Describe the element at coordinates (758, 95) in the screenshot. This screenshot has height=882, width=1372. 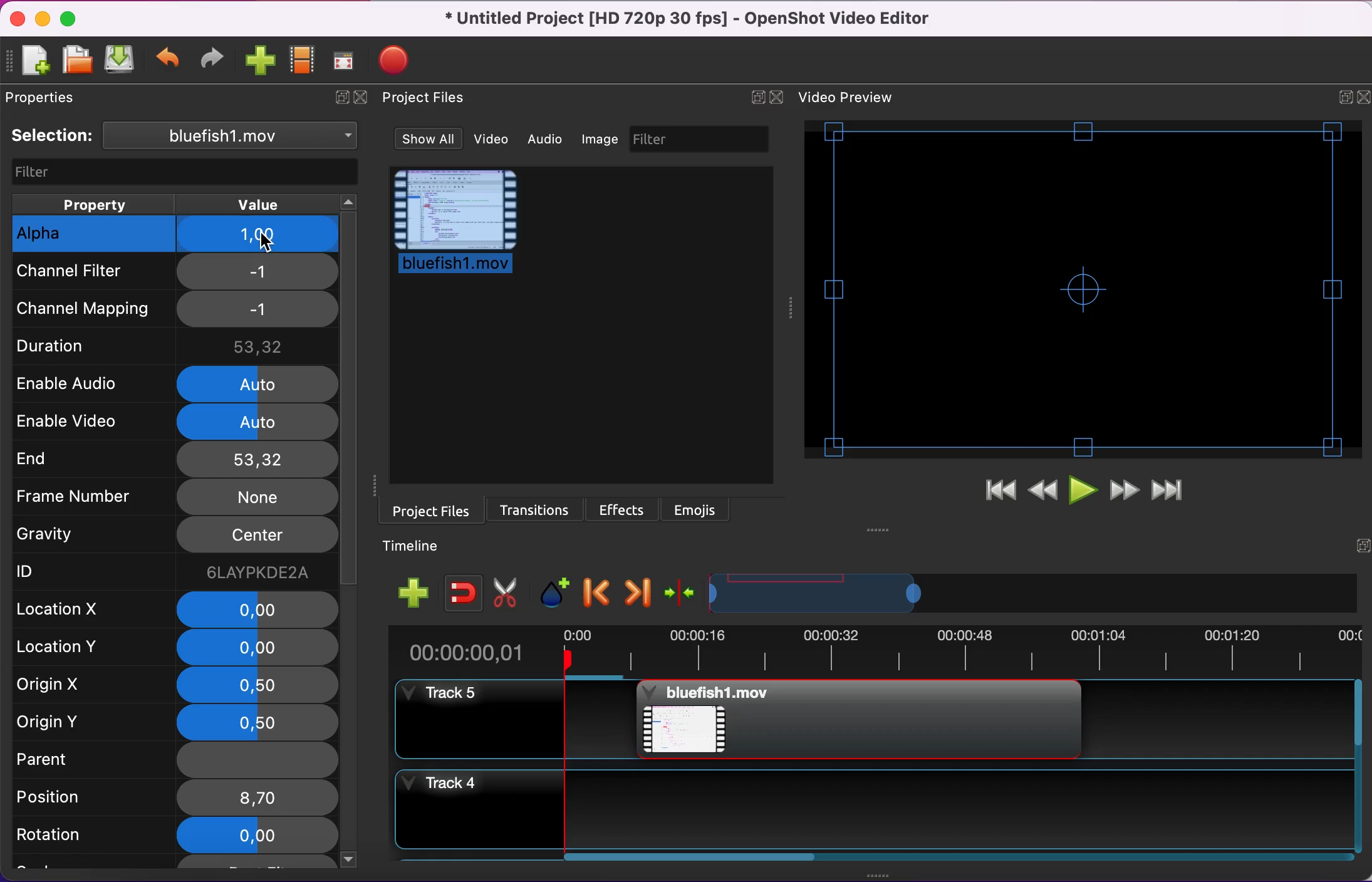
I see `expand/hide` at that location.